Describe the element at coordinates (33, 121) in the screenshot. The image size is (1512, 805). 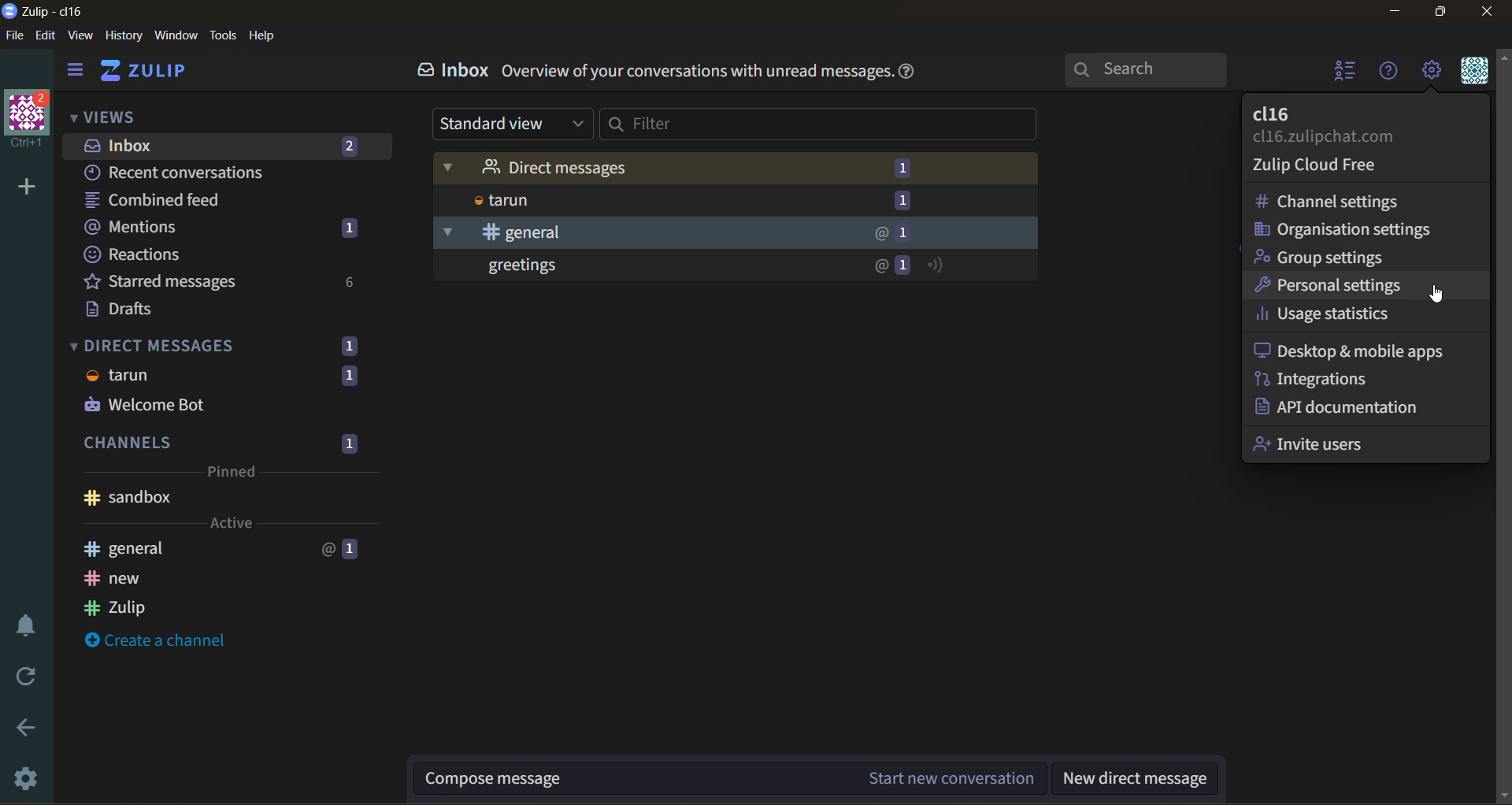
I see `organisation name` at that location.